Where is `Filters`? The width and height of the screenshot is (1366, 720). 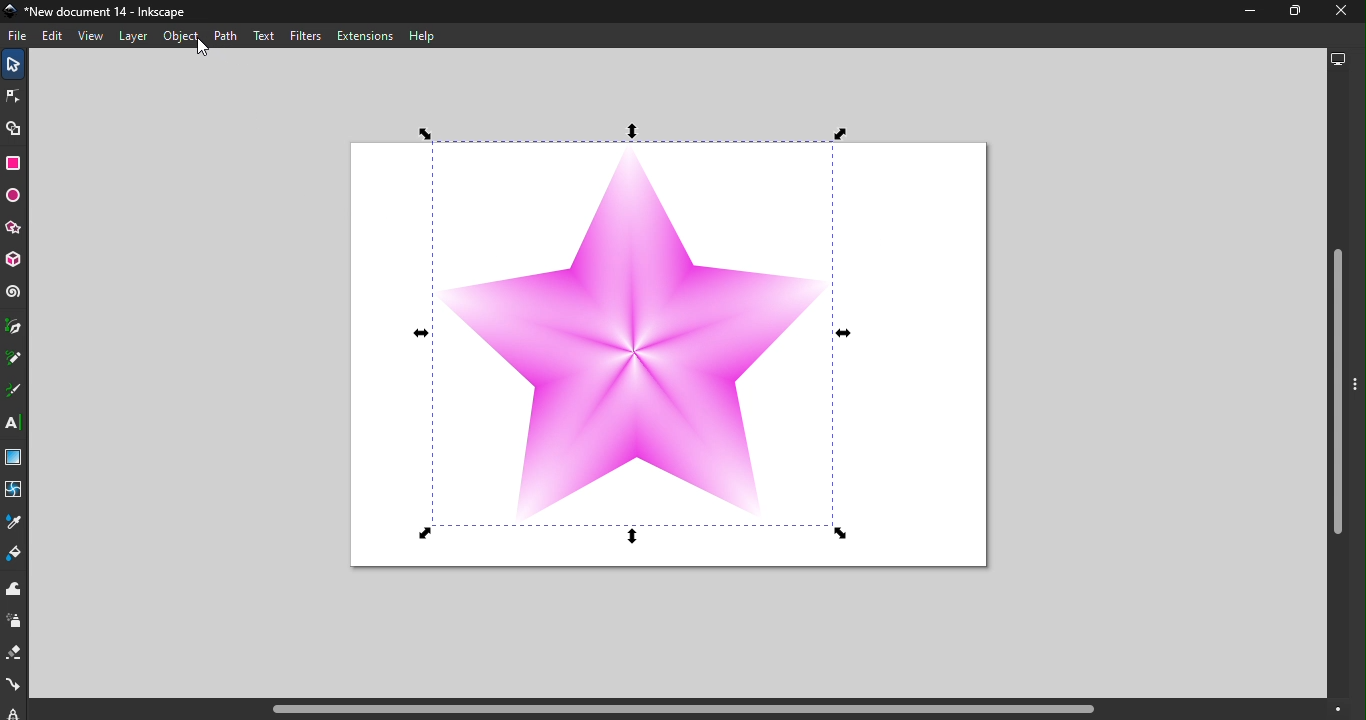
Filters is located at coordinates (307, 35).